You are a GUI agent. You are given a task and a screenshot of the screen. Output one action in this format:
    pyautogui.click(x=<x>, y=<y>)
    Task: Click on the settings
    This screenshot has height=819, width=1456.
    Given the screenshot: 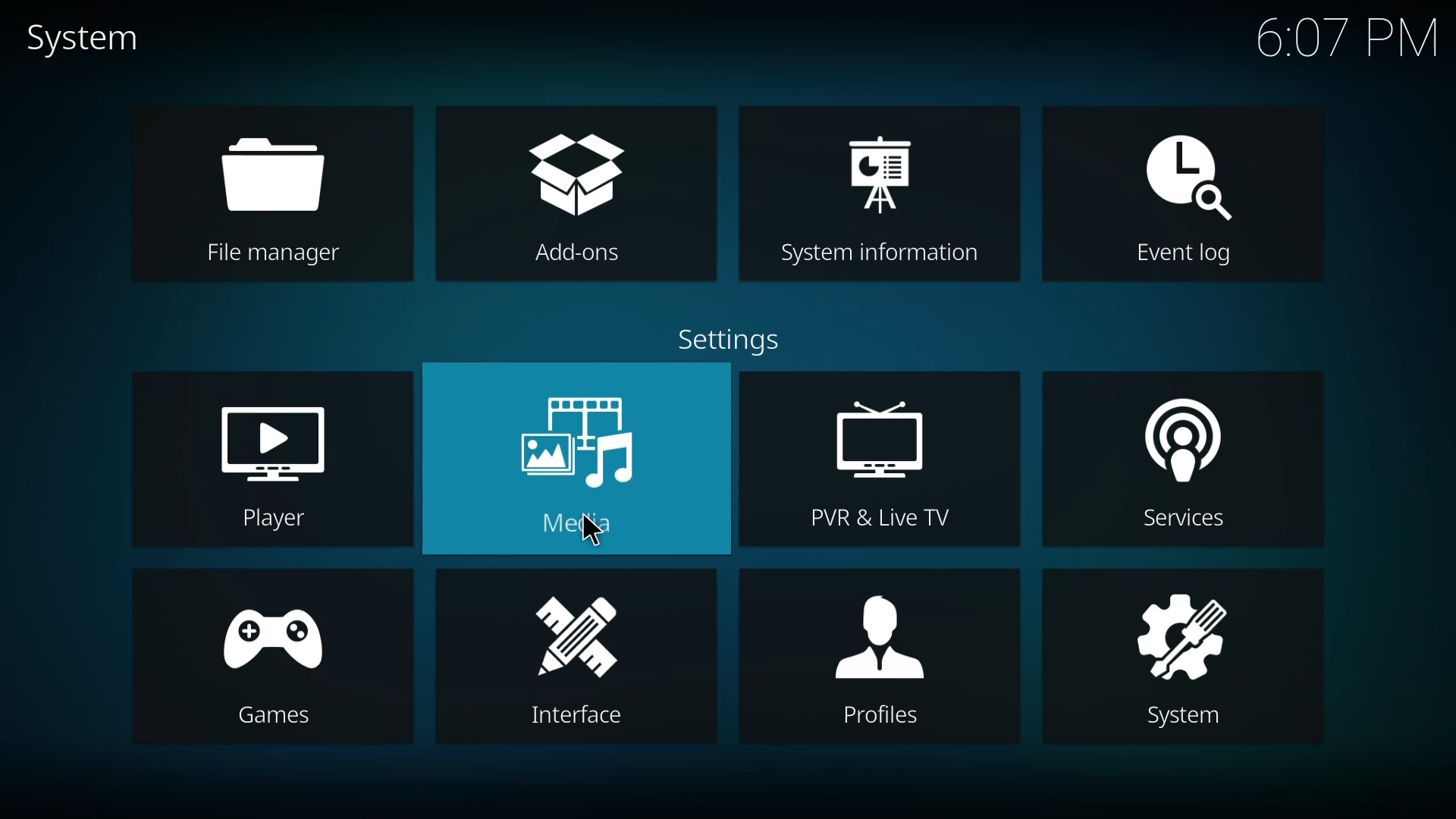 What is the action you would take?
    pyautogui.click(x=733, y=339)
    